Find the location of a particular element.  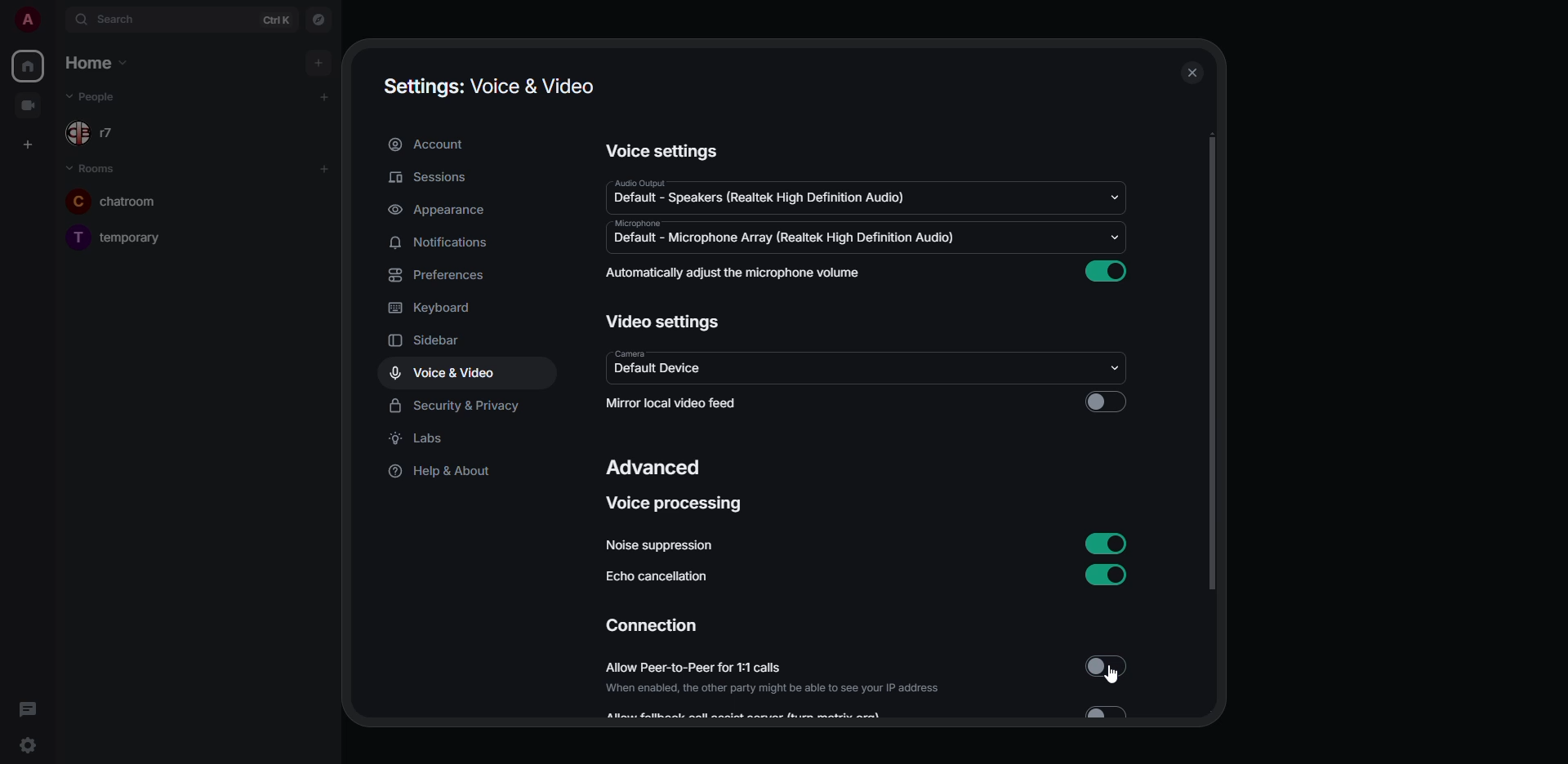

account is located at coordinates (430, 144).